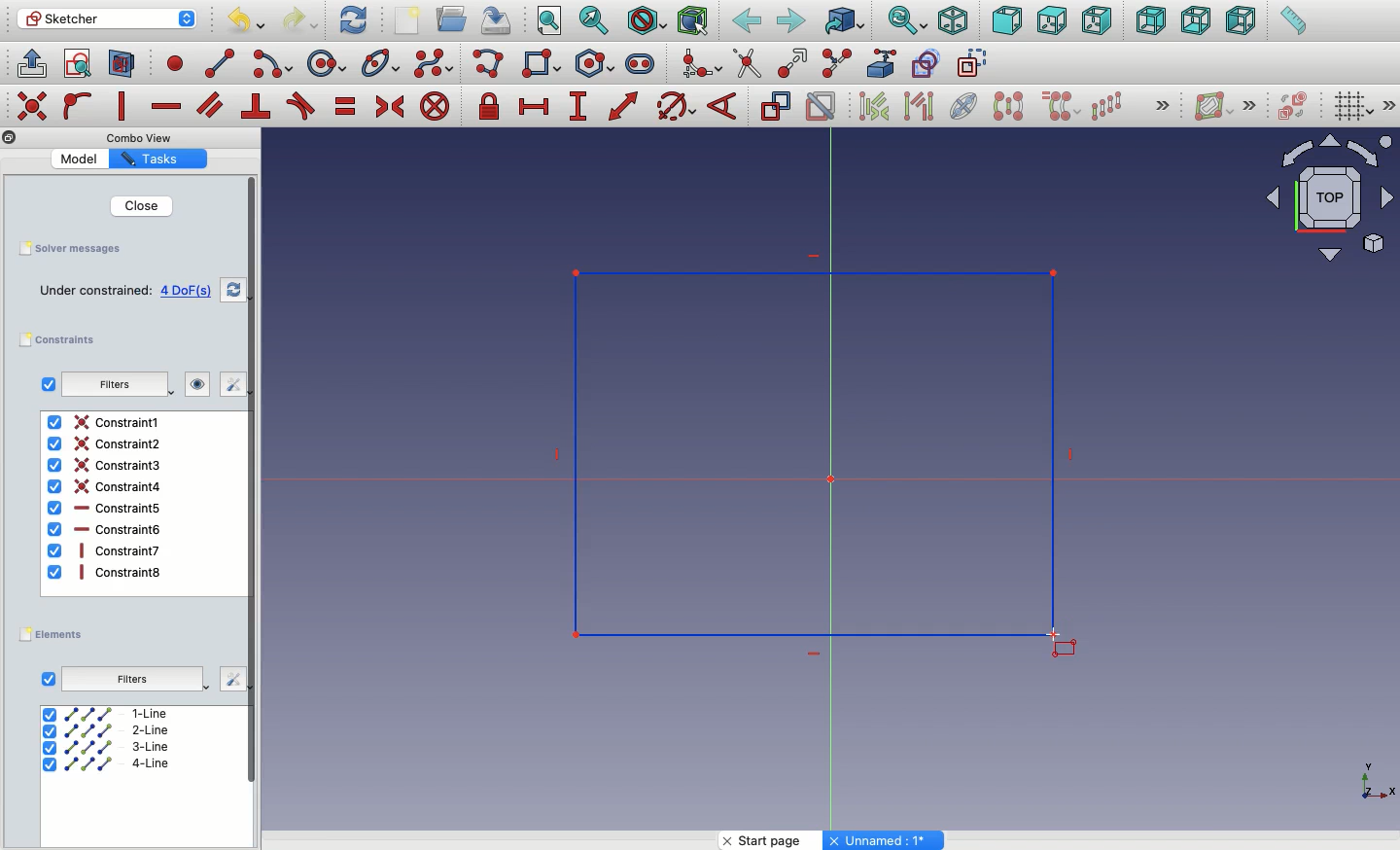 This screenshot has height=850, width=1400. I want to click on Undo, so click(249, 23).